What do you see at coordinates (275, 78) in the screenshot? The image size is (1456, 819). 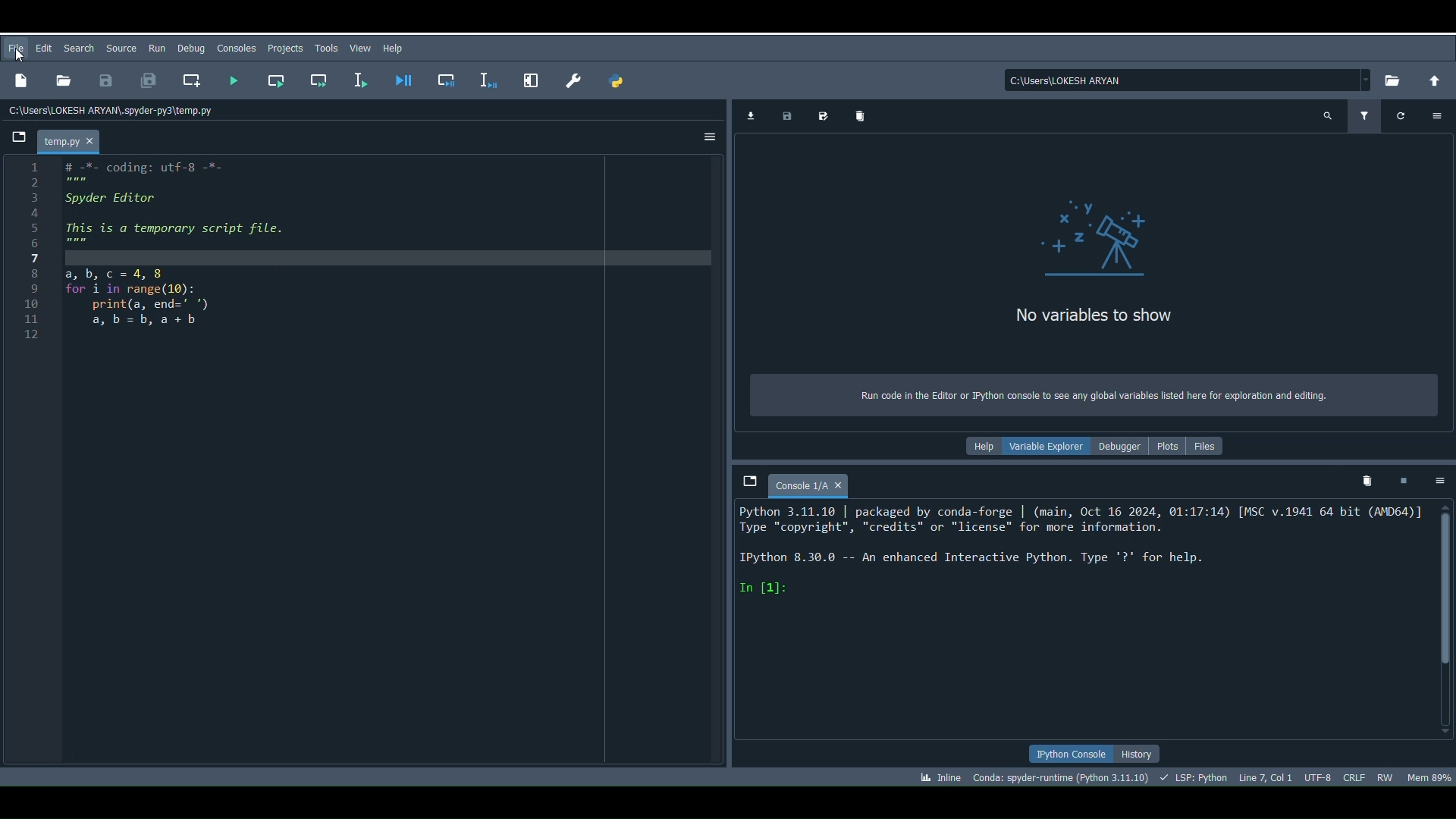 I see `Run current cell (Ctrl + Return)` at bounding box center [275, 78].